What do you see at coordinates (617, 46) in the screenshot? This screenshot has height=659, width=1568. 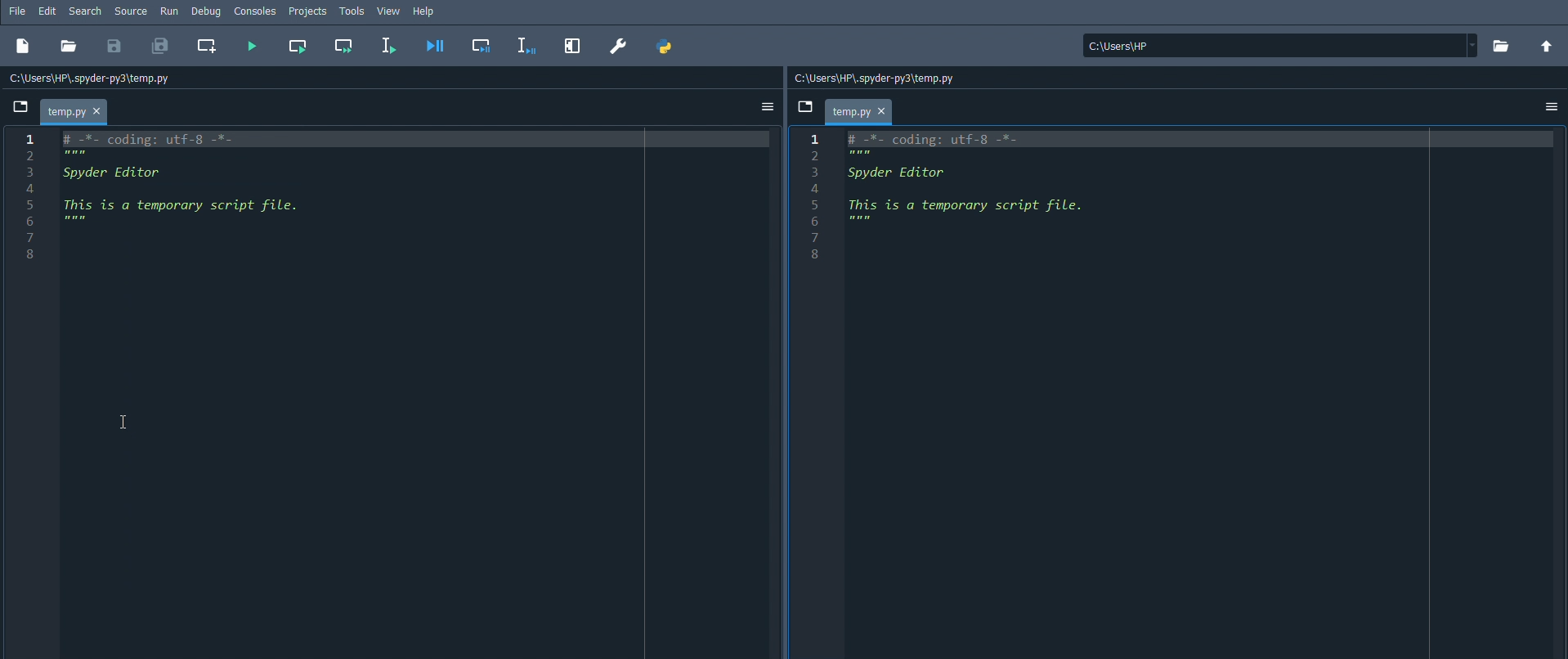 I see `Preferences` at bounding box center [617, 46].